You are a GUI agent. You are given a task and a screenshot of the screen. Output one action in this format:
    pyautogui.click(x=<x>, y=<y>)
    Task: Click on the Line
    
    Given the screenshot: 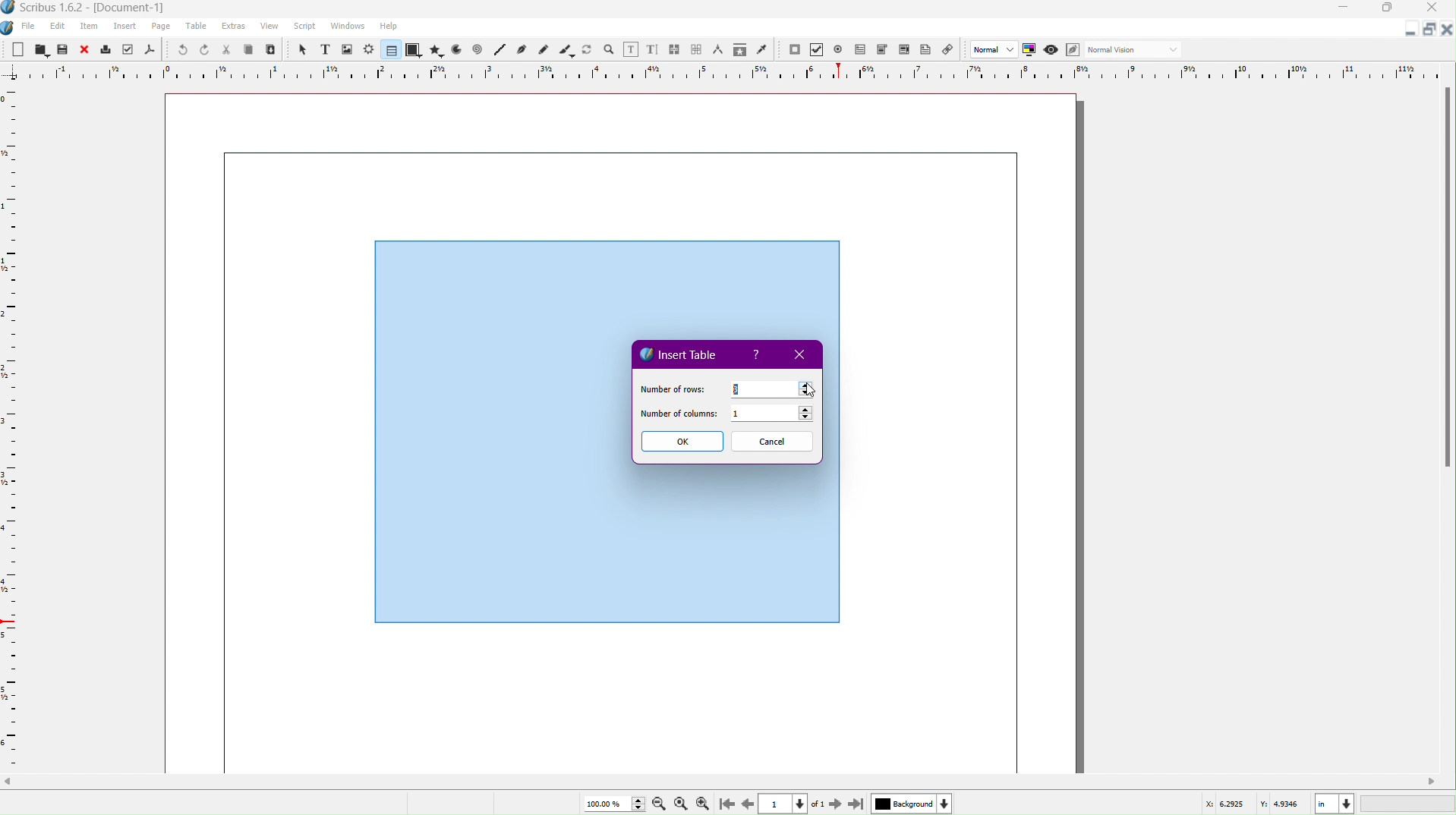 What is the action you would take?
    pyautogui.click(x=499, y=50)
    